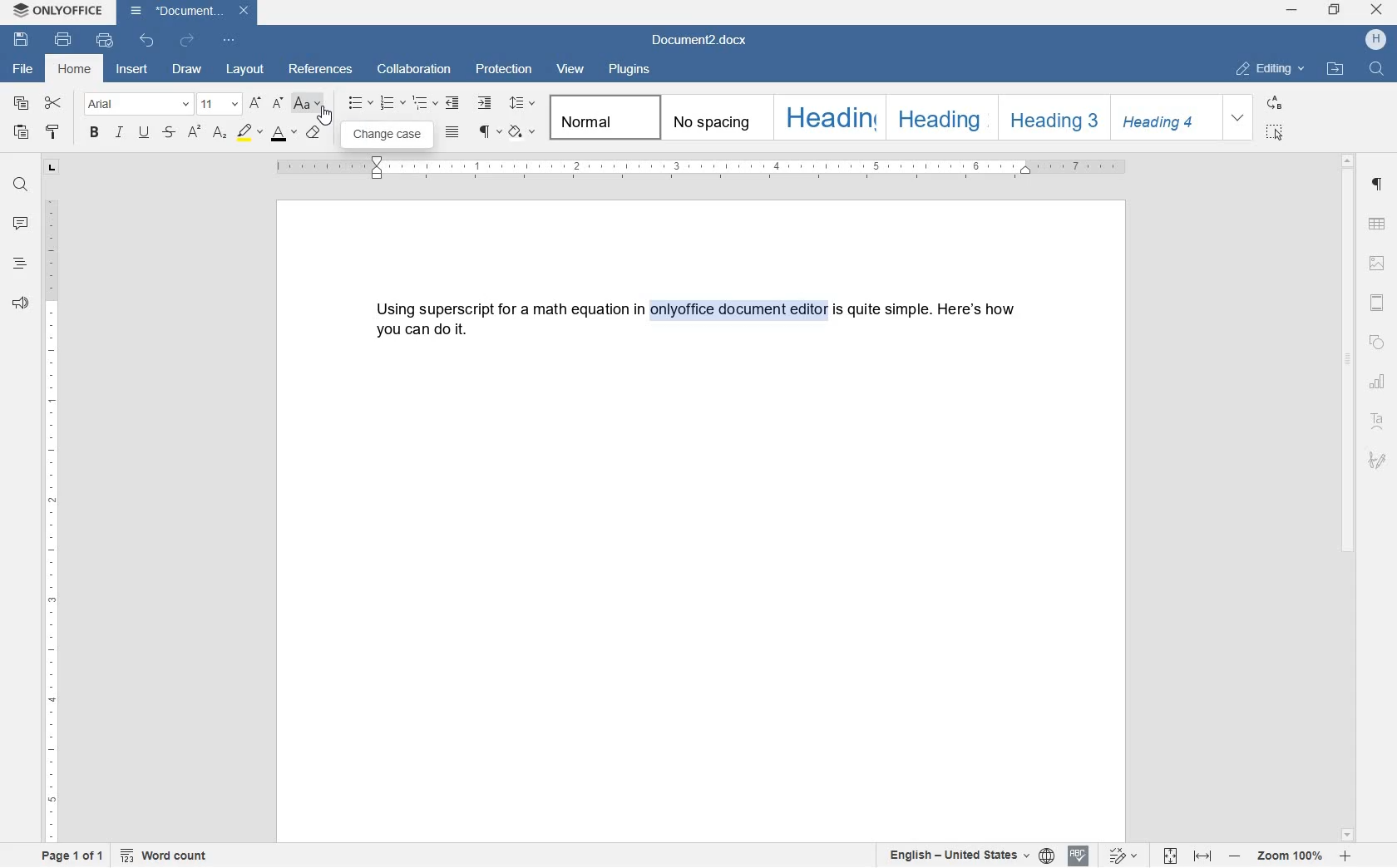  I want to click on plugins, so click(631, 70).